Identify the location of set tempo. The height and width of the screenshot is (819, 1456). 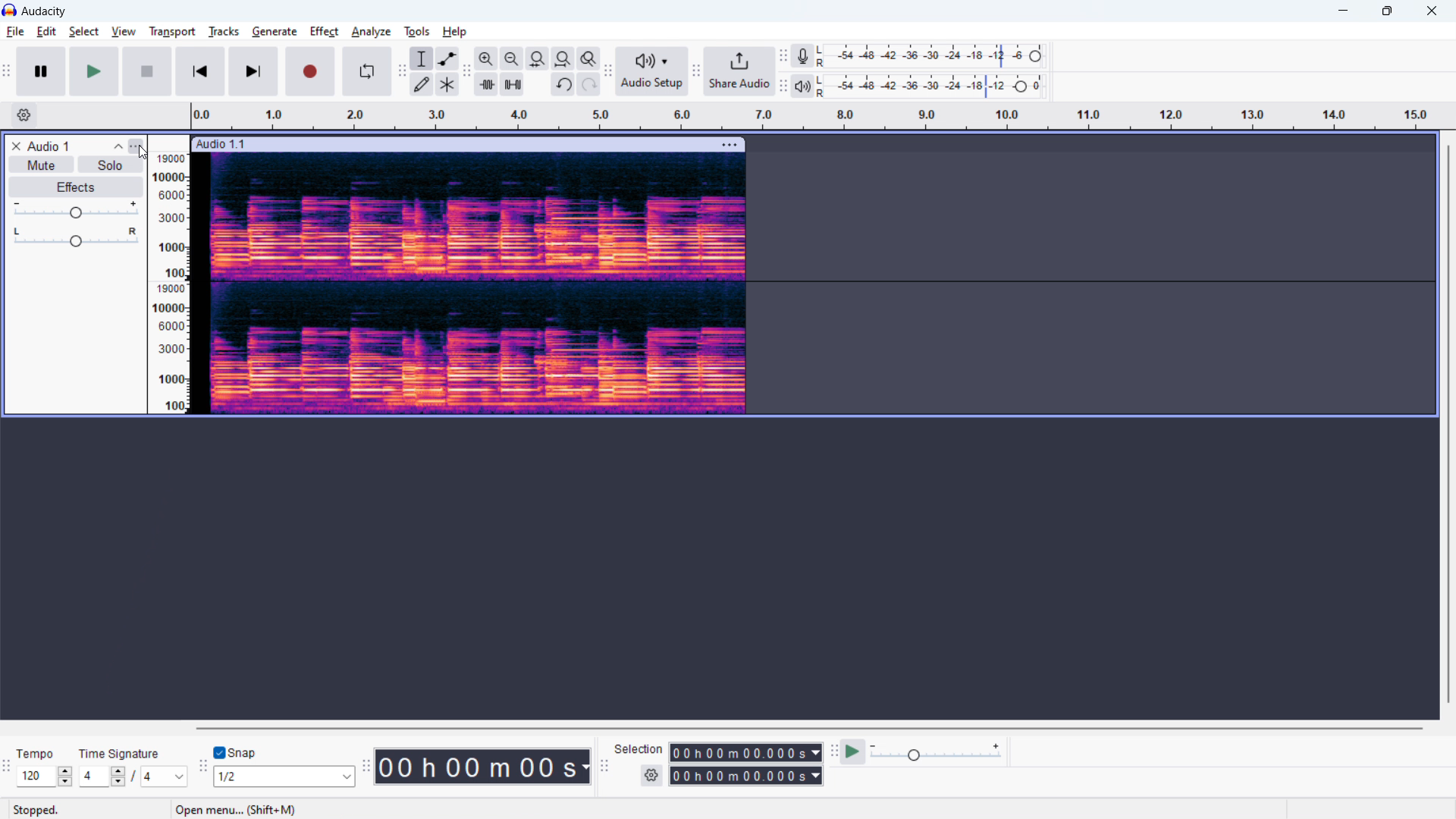
(35, 777).